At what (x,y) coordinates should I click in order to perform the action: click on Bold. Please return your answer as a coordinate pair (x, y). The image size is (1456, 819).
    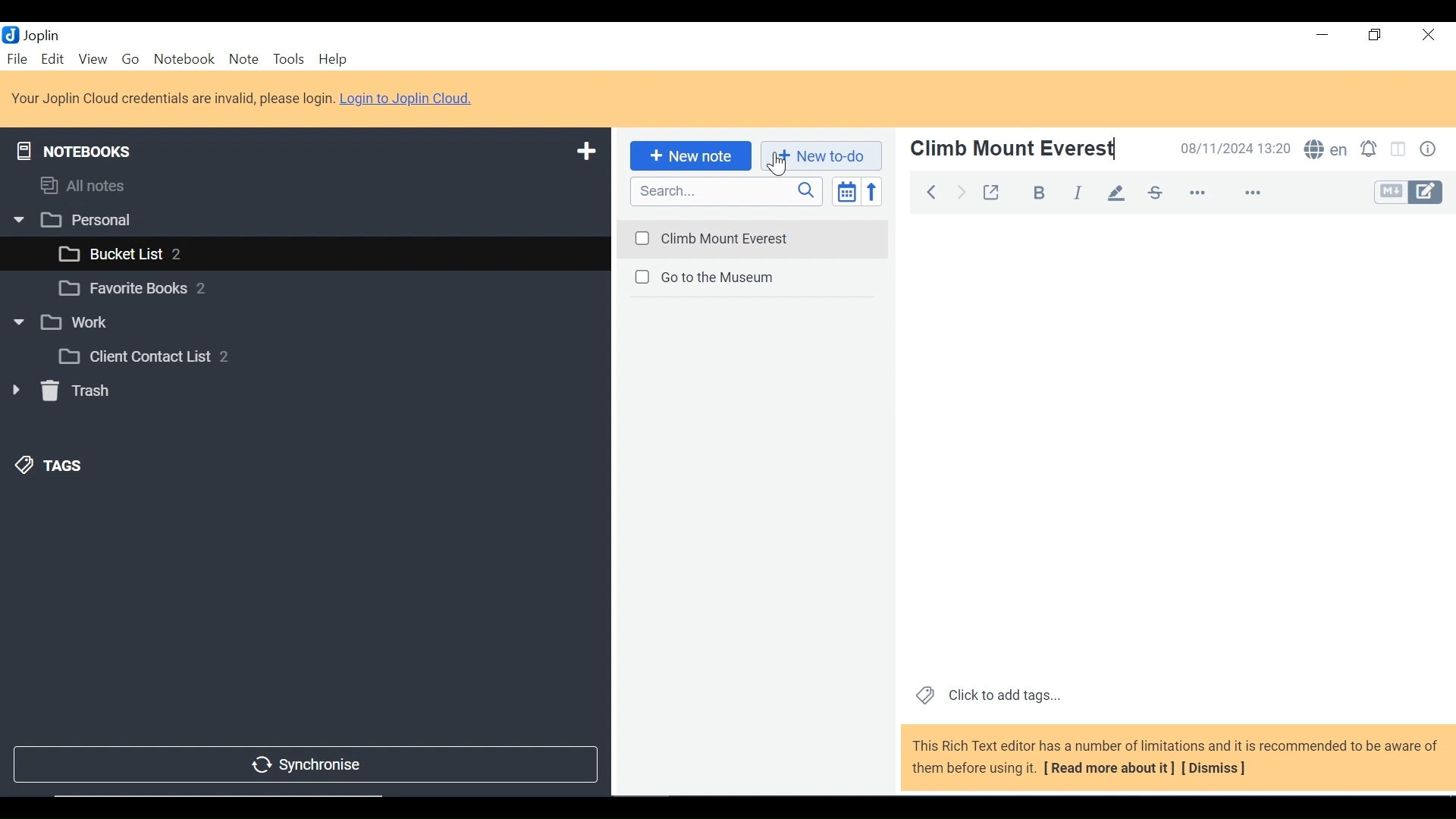
    Looking at the image, I should click on (1041, 193).